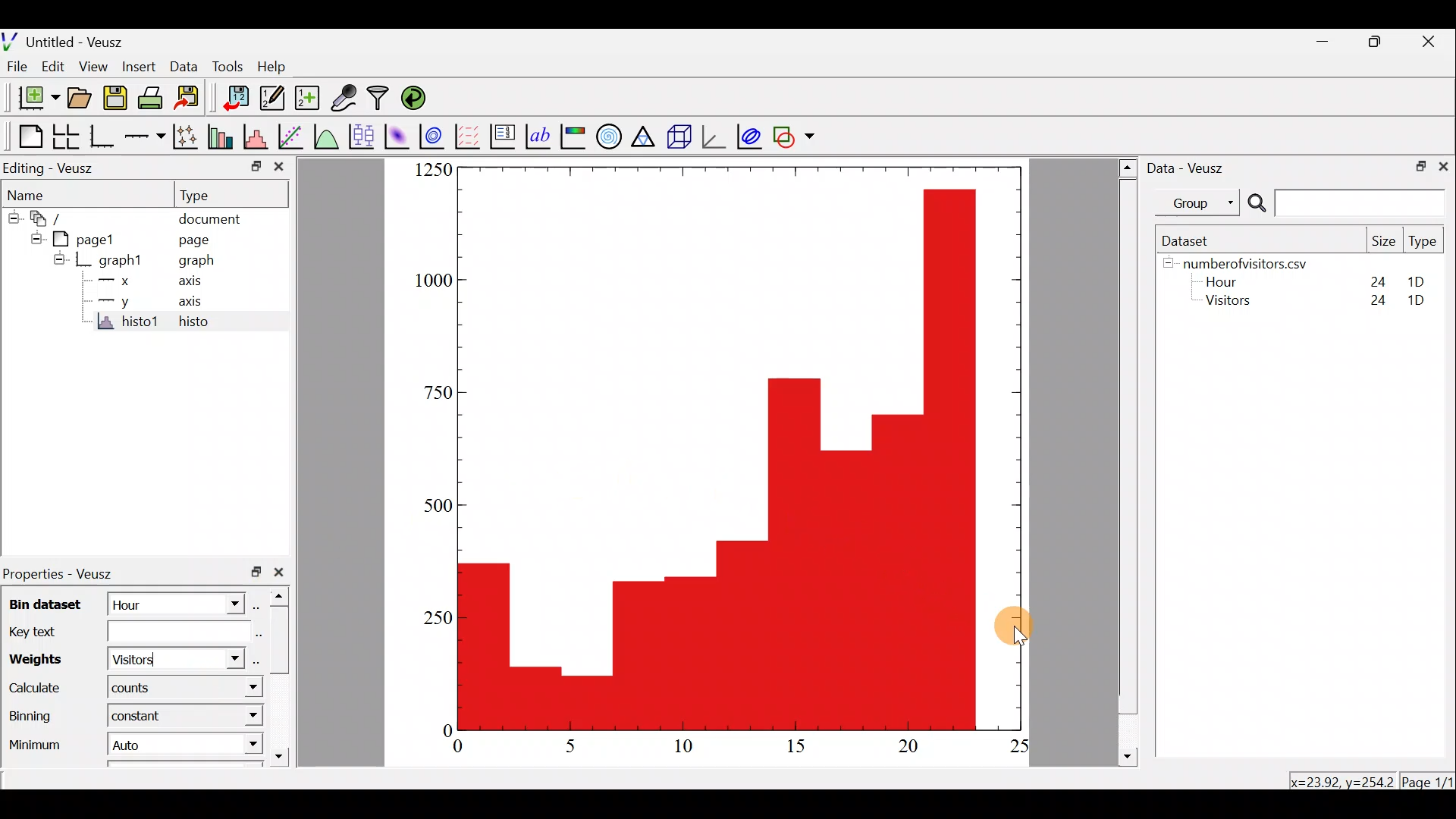  Describe the element at coordinates (309, 96) in the screenshot. I see `create new datasets using ranges, parametrically or as functions of existing dataset.` at that location.